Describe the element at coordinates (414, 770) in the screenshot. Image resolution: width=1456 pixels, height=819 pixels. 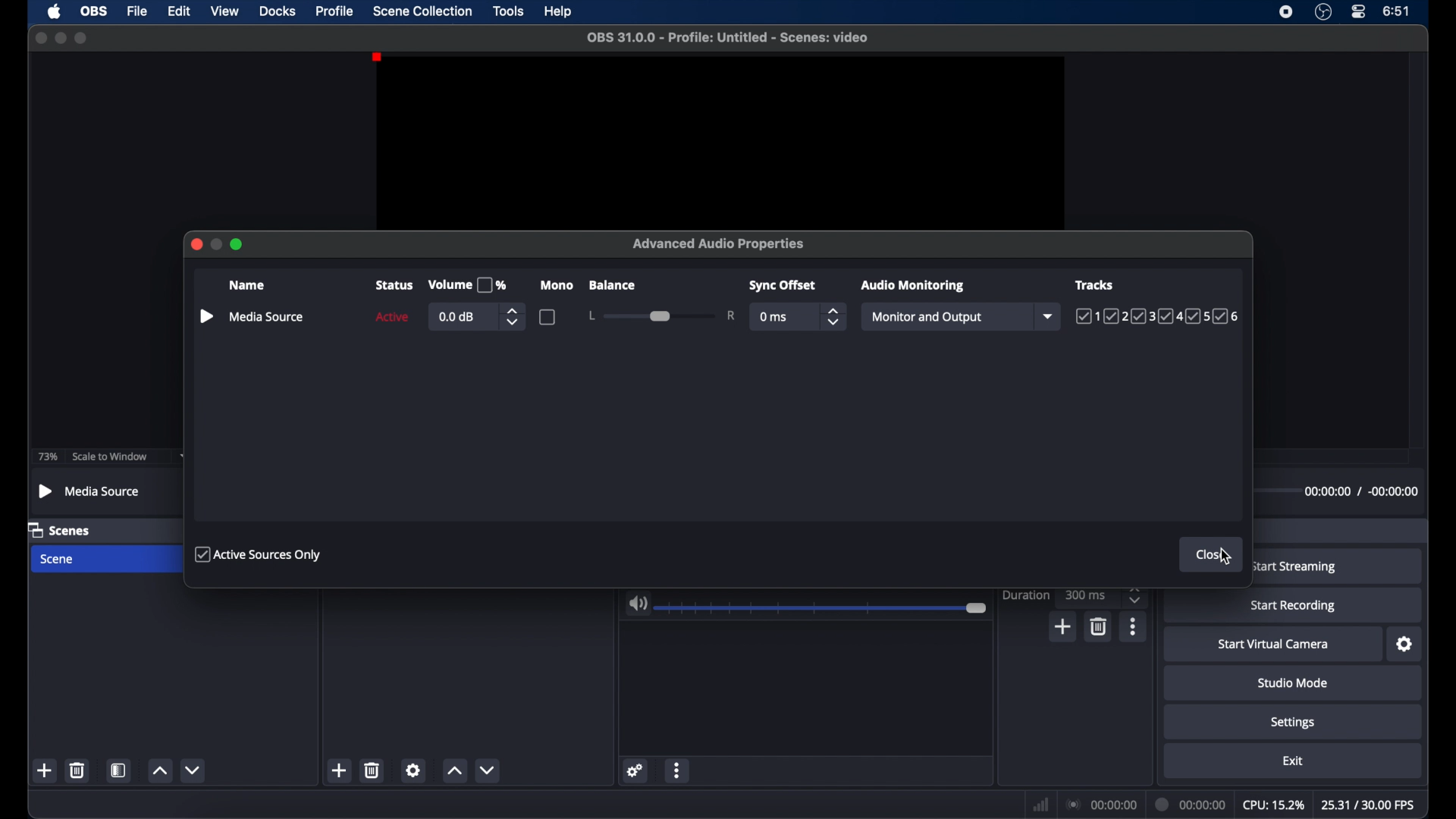
I see `settings` at that location.